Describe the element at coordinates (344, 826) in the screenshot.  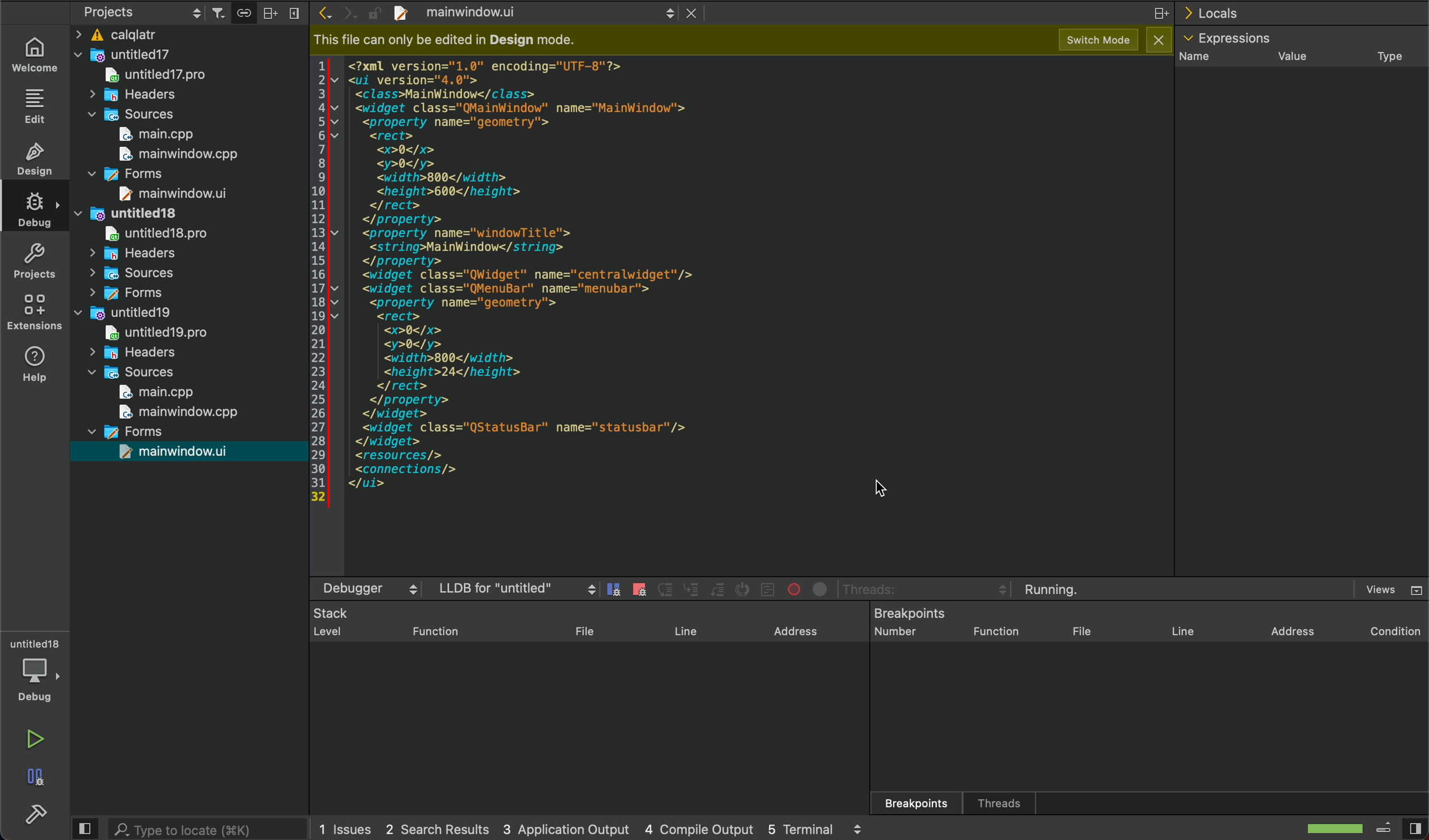
I see `1 issues` at that location.